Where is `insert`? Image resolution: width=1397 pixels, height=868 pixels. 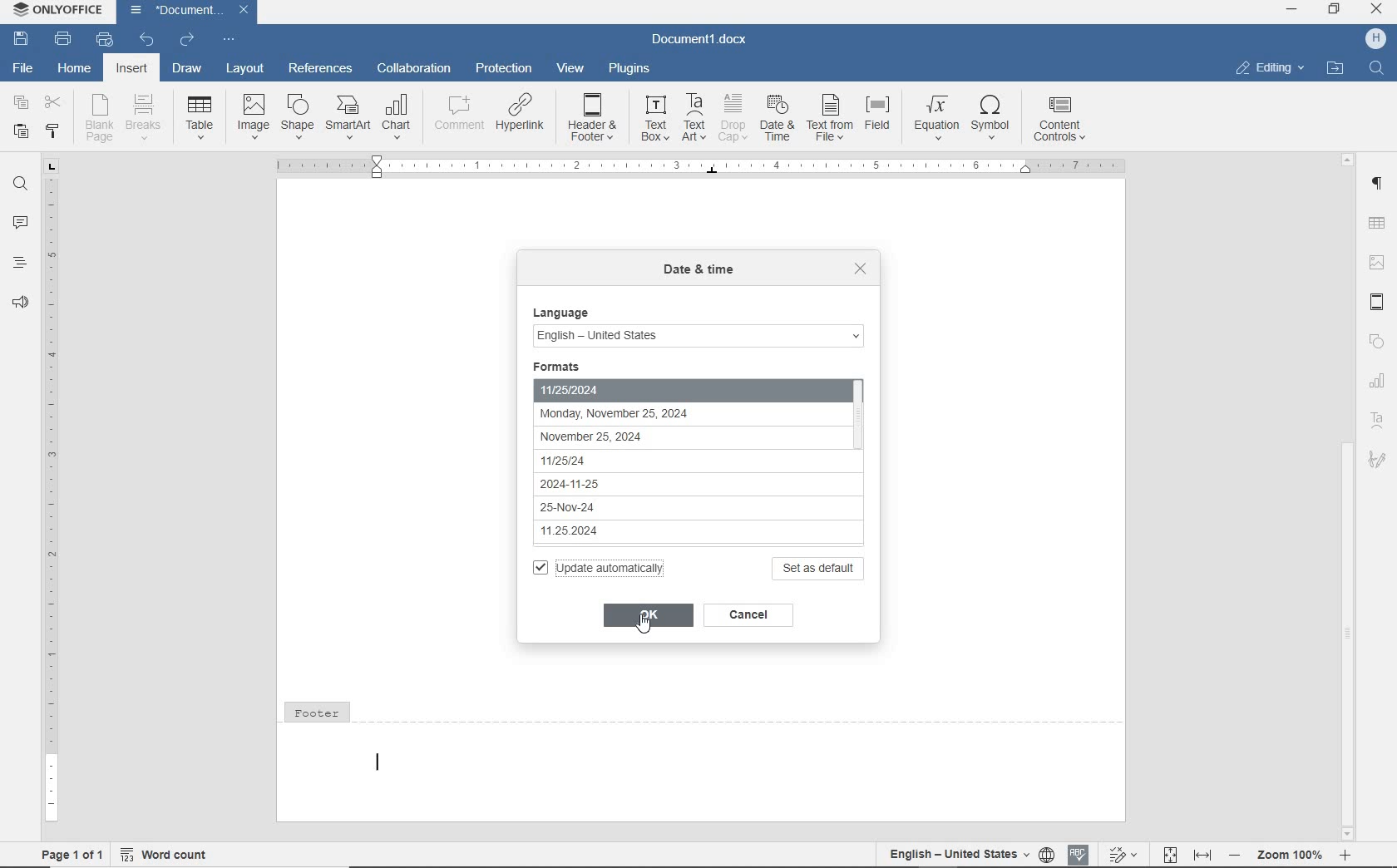
insert is located at coordinates (132, 68).